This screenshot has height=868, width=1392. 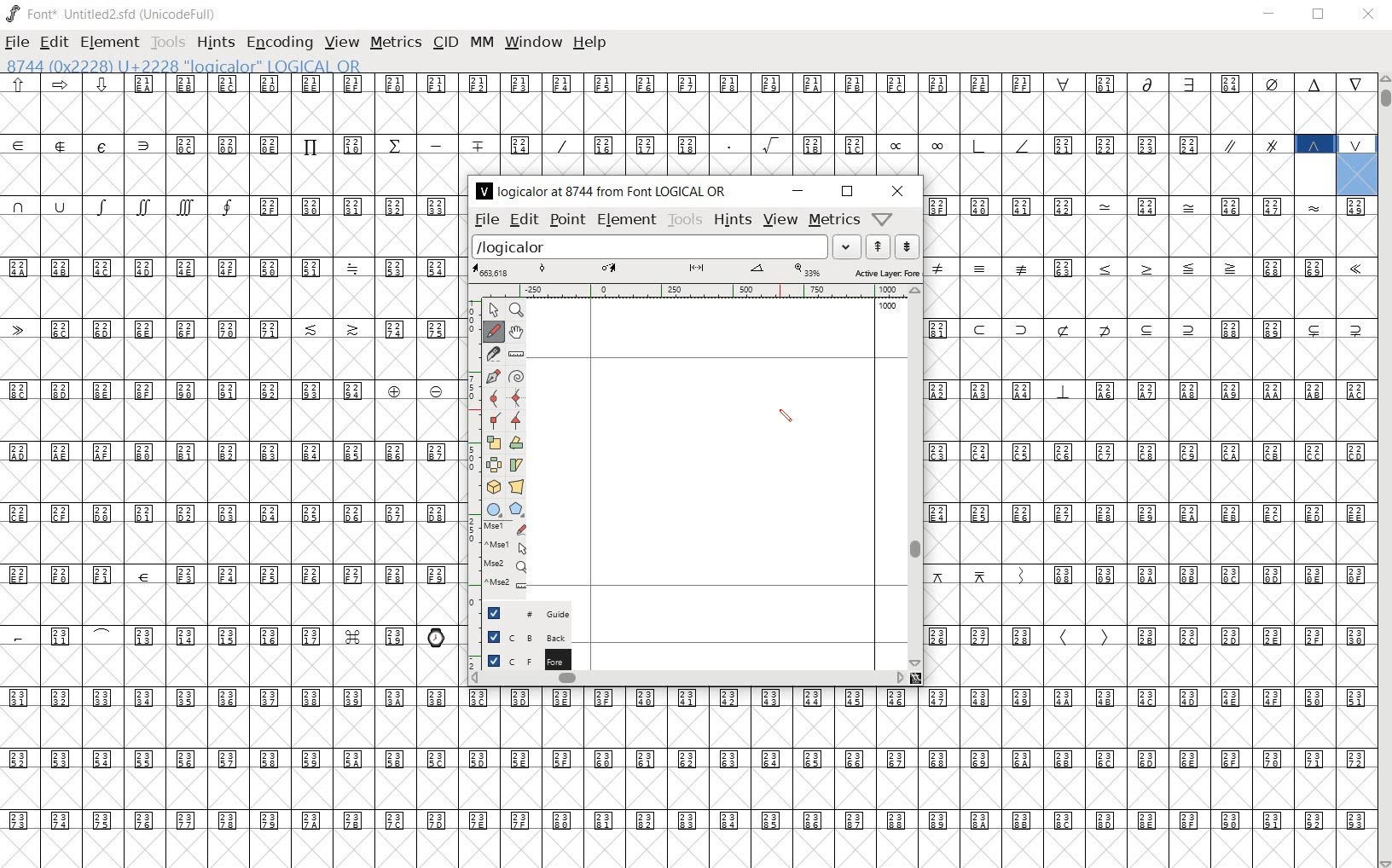 I want to click on element, so click(x=626, y=221).